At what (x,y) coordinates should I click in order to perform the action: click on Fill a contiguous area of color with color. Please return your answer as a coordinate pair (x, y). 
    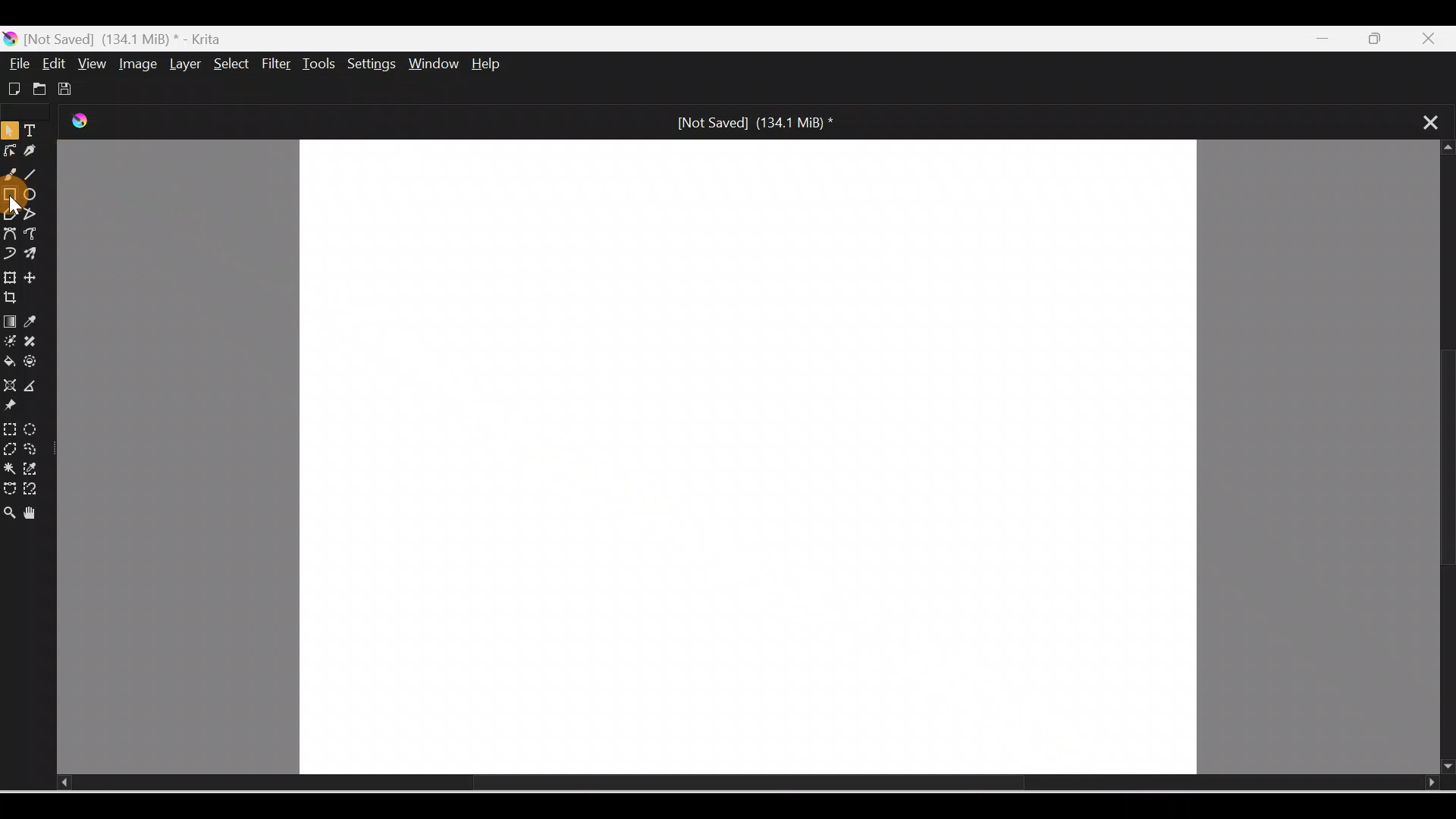
    Looking at the image, I should click on (10, 362).